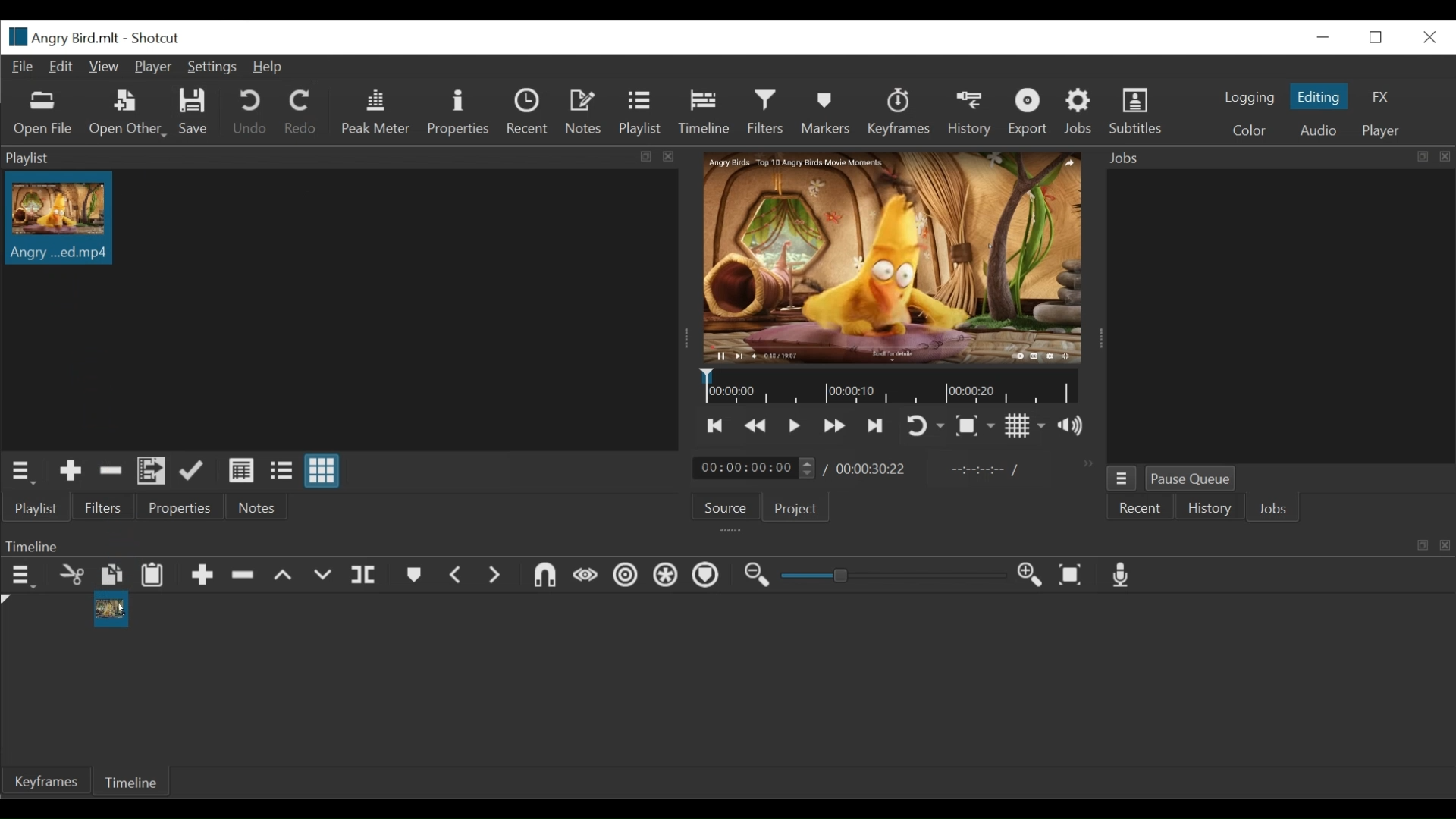 The width and height of the screenshot is (1456, 819). I want to click on Keyframe, so click(42, 782).